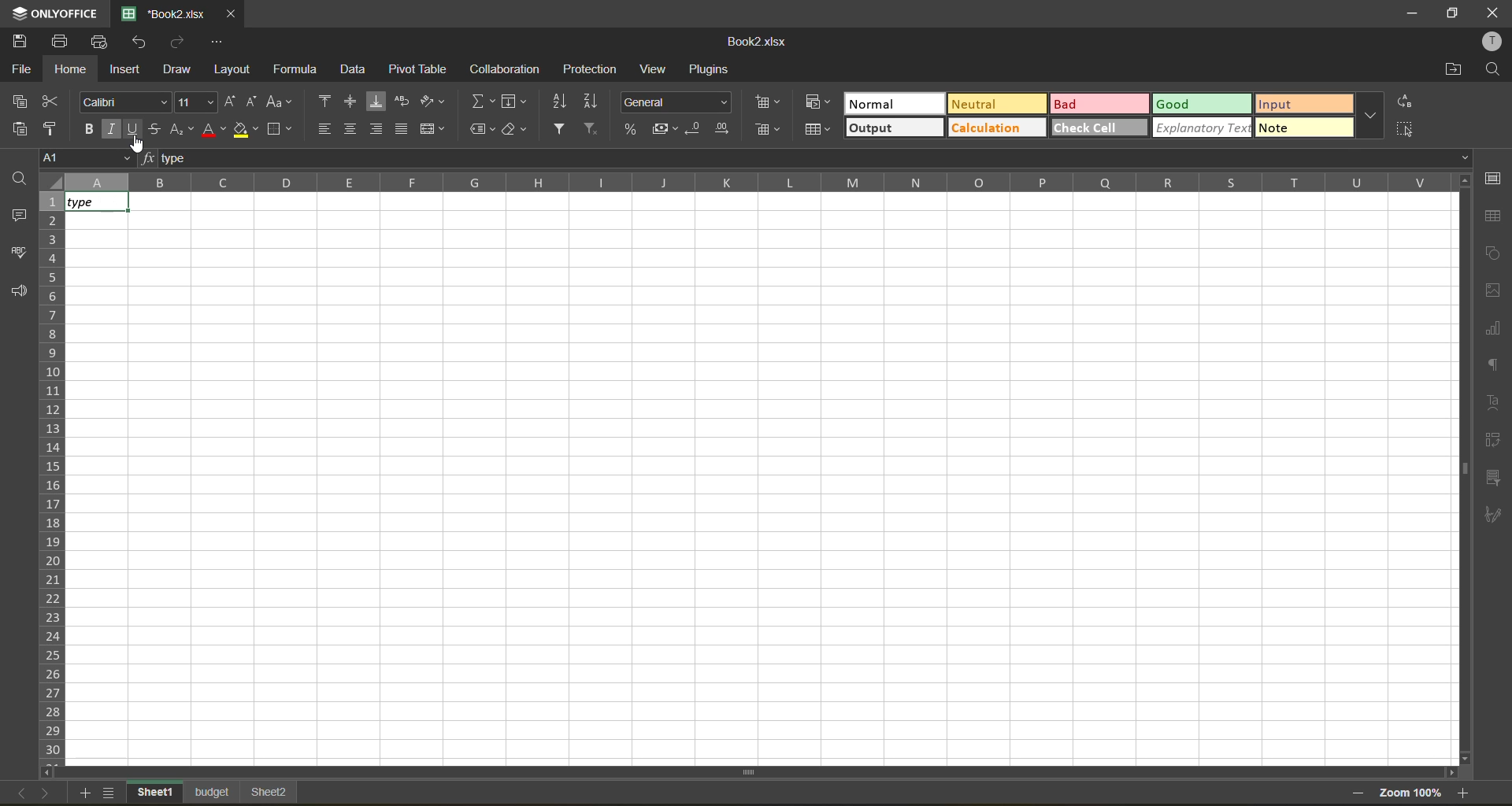  I want to click on good, so click(1207, 105).